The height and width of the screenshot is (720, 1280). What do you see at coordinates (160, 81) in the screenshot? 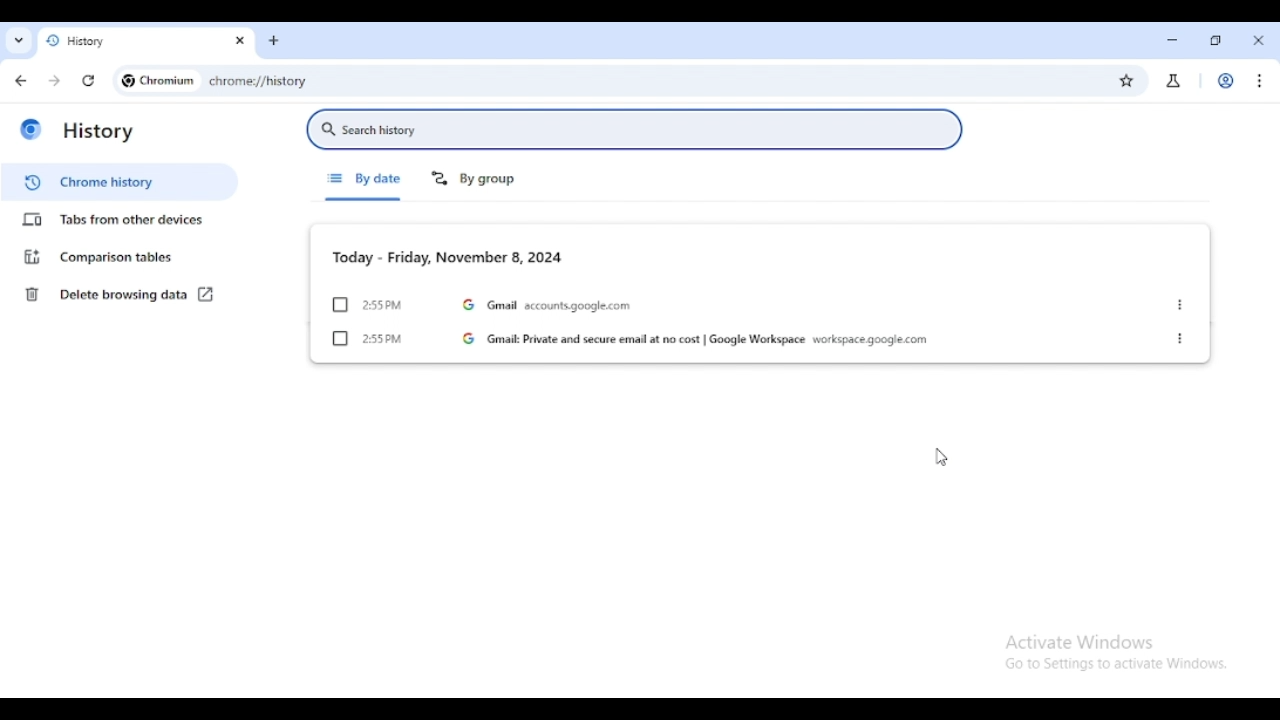
I see `chromium` at bounding box center [160, 81].